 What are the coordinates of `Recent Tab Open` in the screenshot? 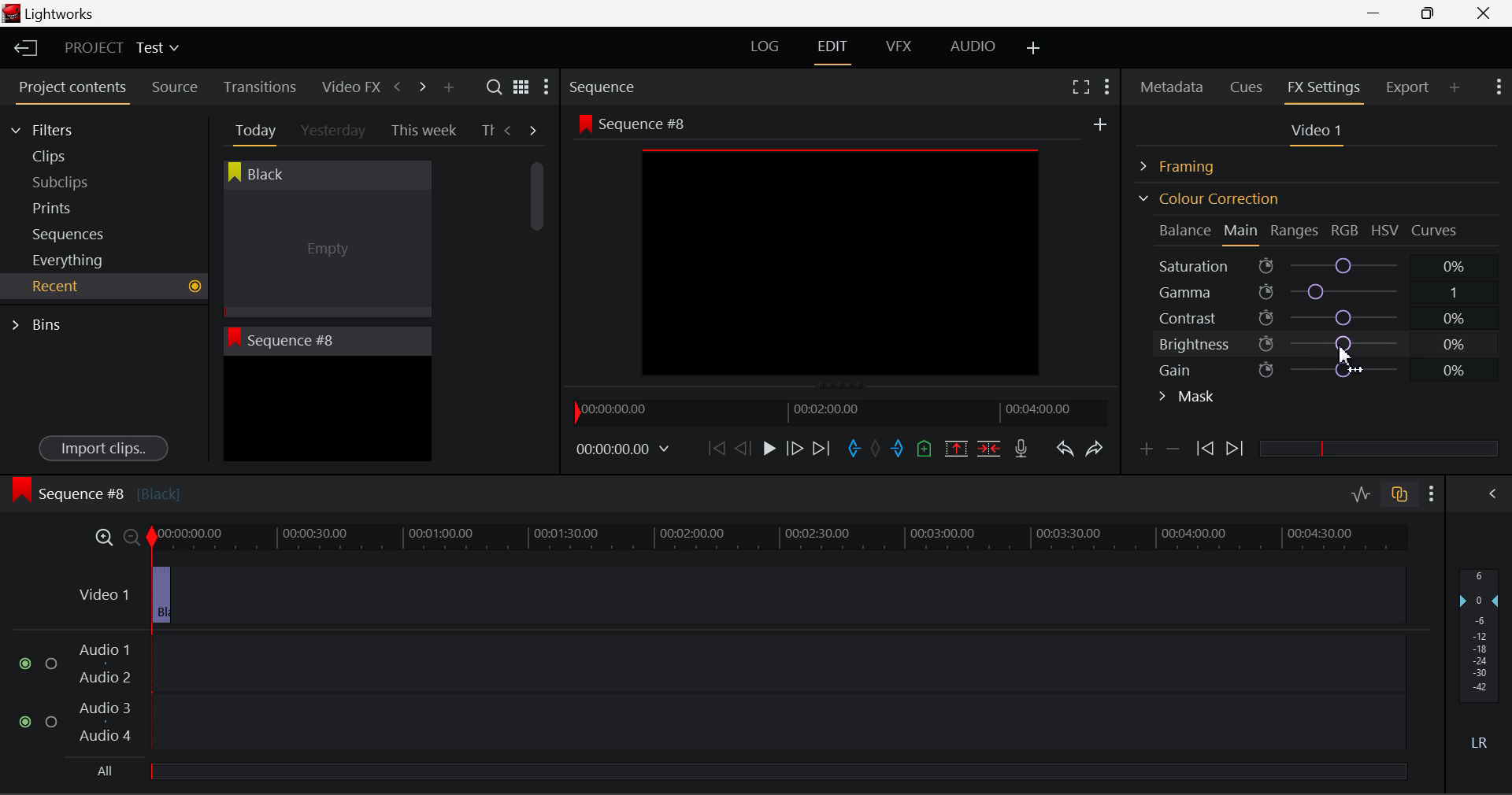 It's located at (104, 287).